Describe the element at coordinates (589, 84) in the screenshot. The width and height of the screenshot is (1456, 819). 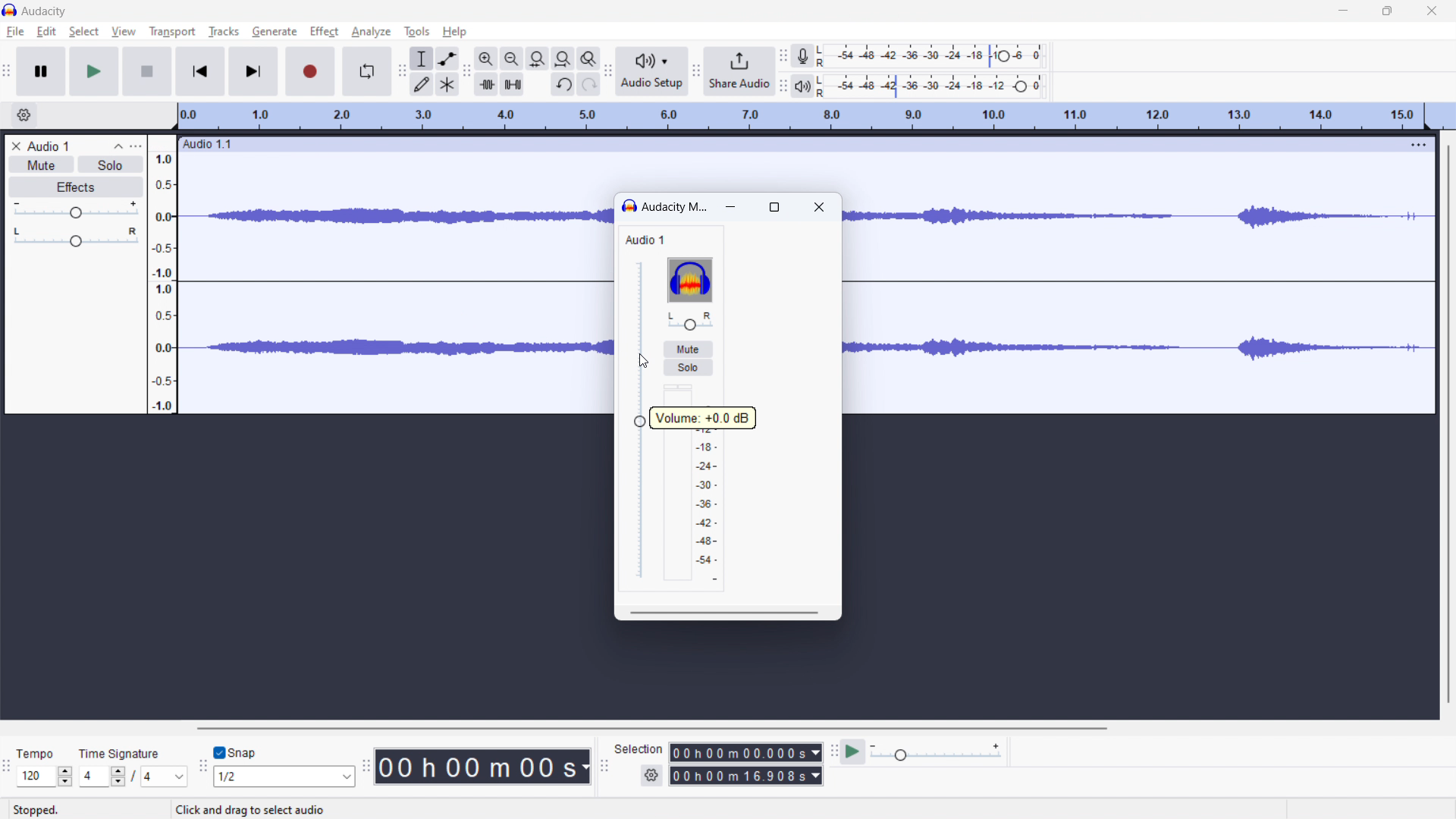
I see `redo` at that location.